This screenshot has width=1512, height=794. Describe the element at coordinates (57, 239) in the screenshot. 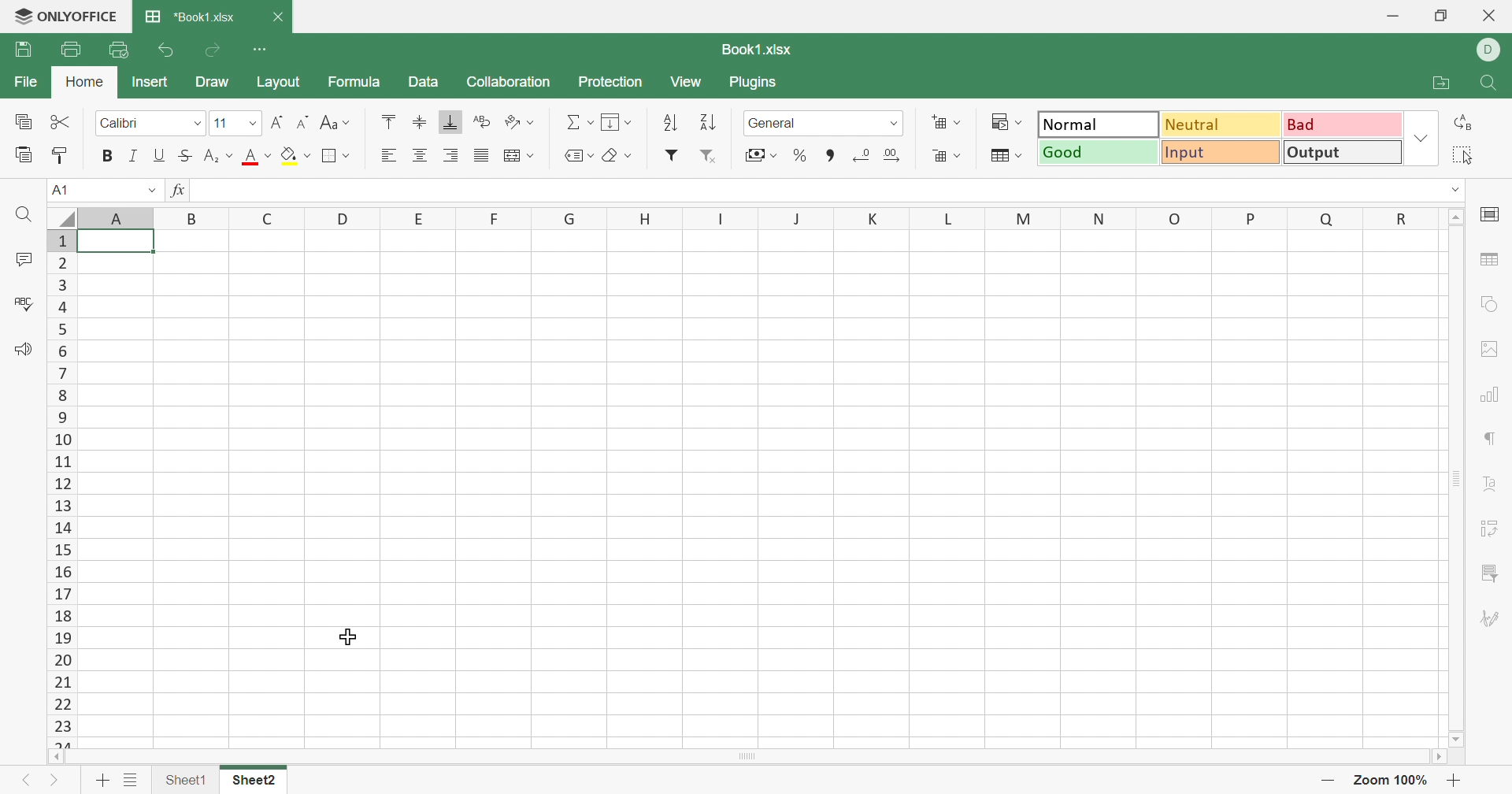

I see `1` at that location.